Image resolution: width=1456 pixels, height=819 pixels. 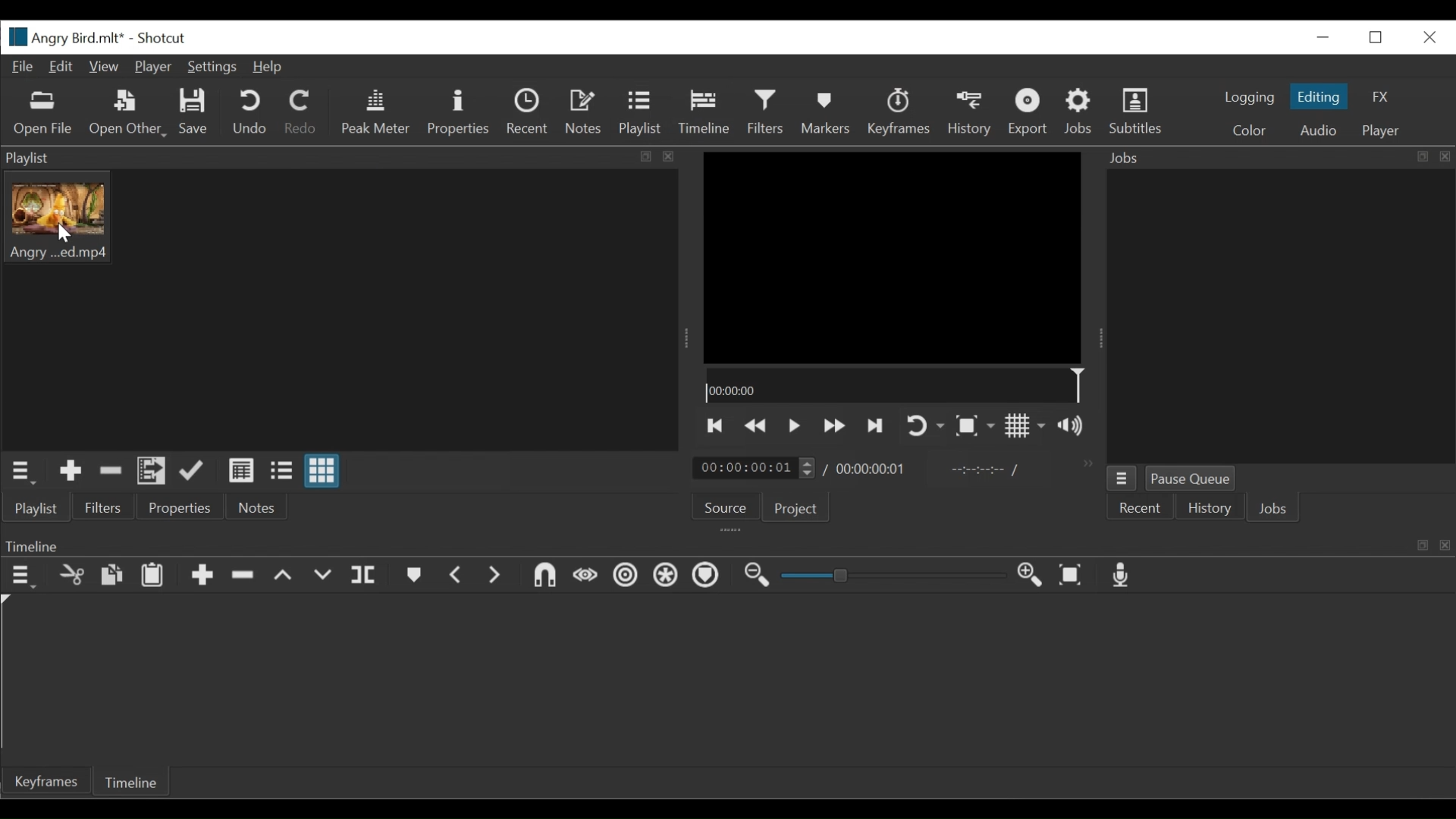 I want to click on Append, so click(x=194, y=472).